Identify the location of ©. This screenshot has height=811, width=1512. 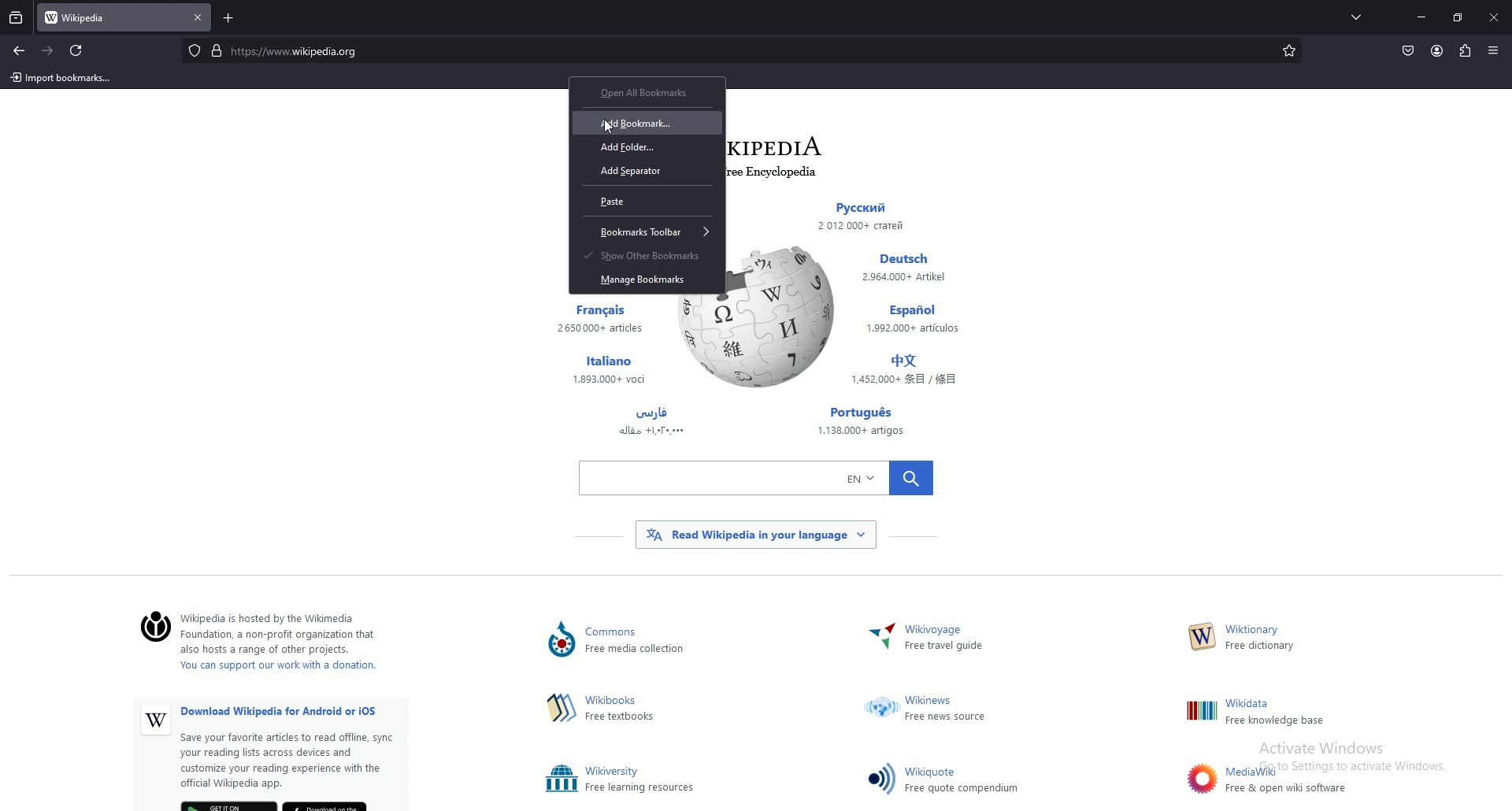
(150, 628).